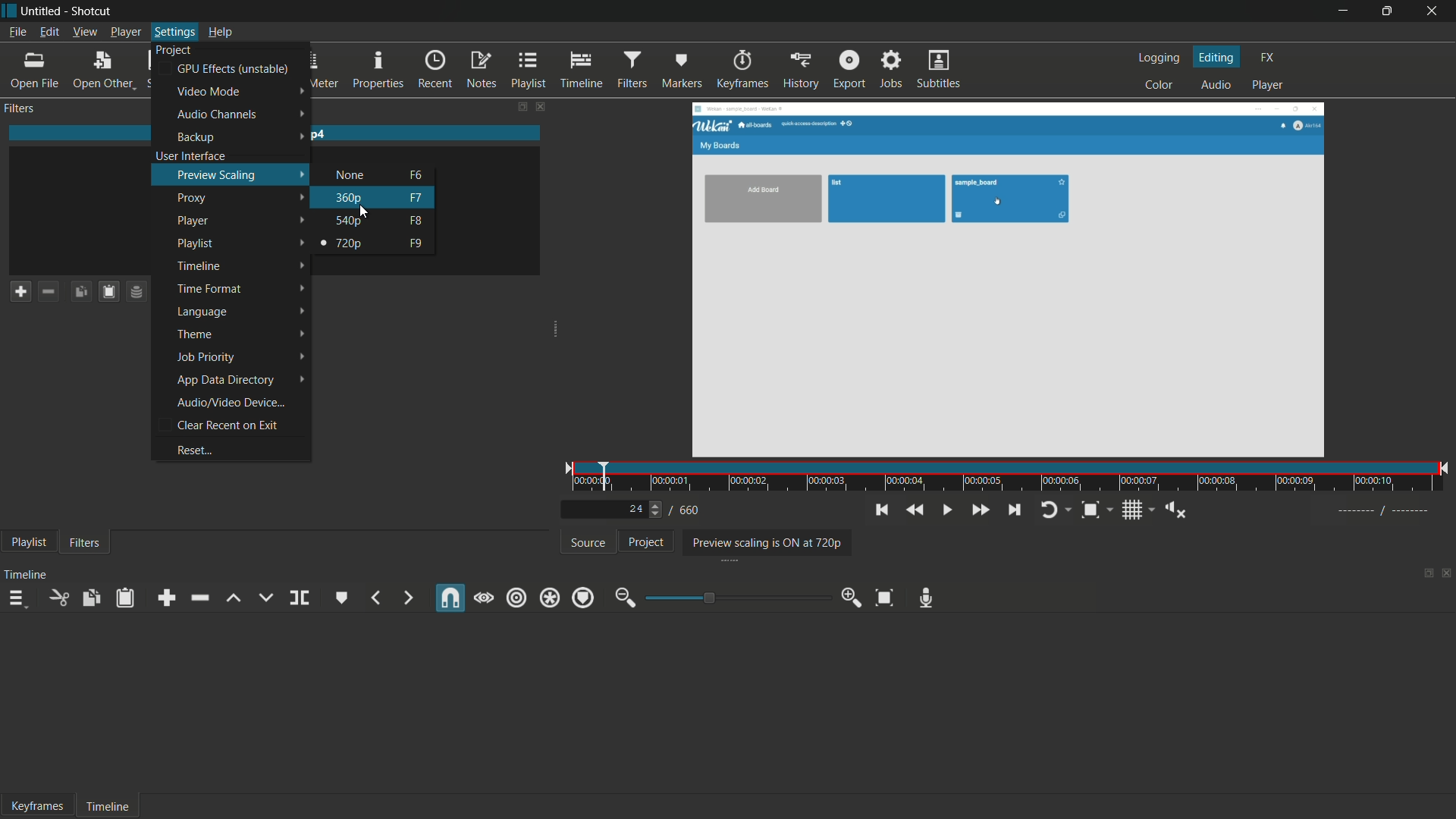  I want to click on 720p, so click(348, 243).